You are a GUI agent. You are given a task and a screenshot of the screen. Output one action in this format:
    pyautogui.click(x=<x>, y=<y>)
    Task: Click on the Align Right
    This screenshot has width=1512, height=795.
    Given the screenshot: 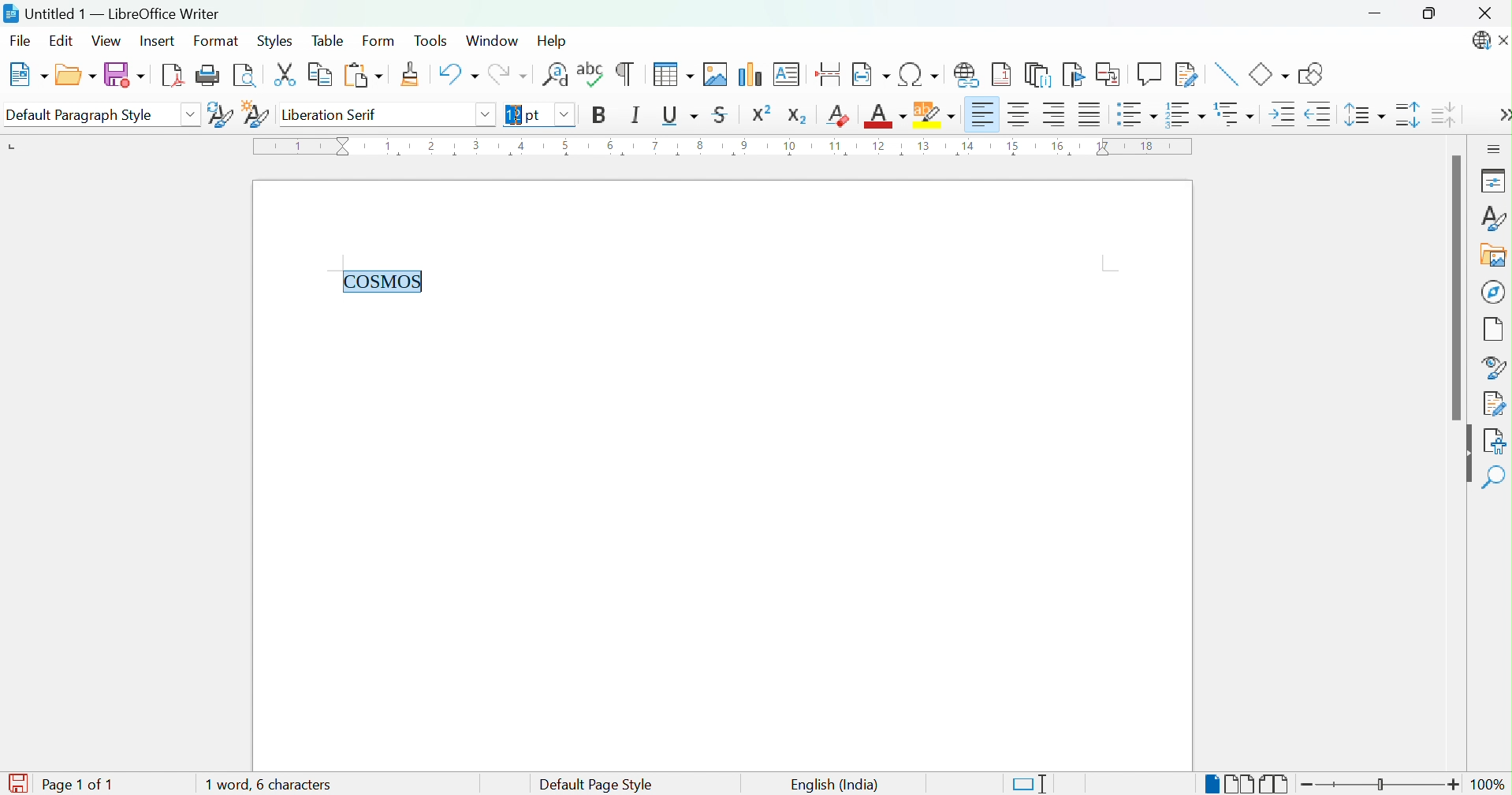 What is the action you would take?
    pyautogui.click(x=1055, y=115)
    